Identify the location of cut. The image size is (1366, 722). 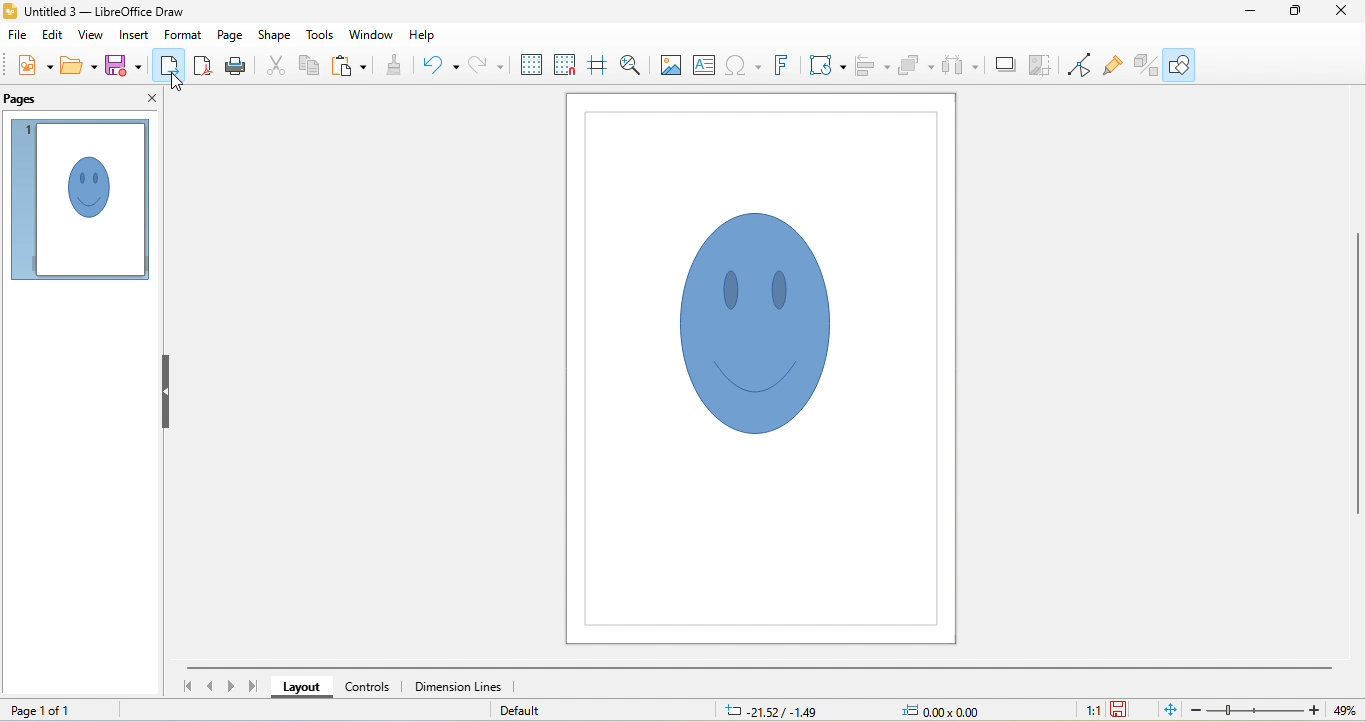
(276, 65).